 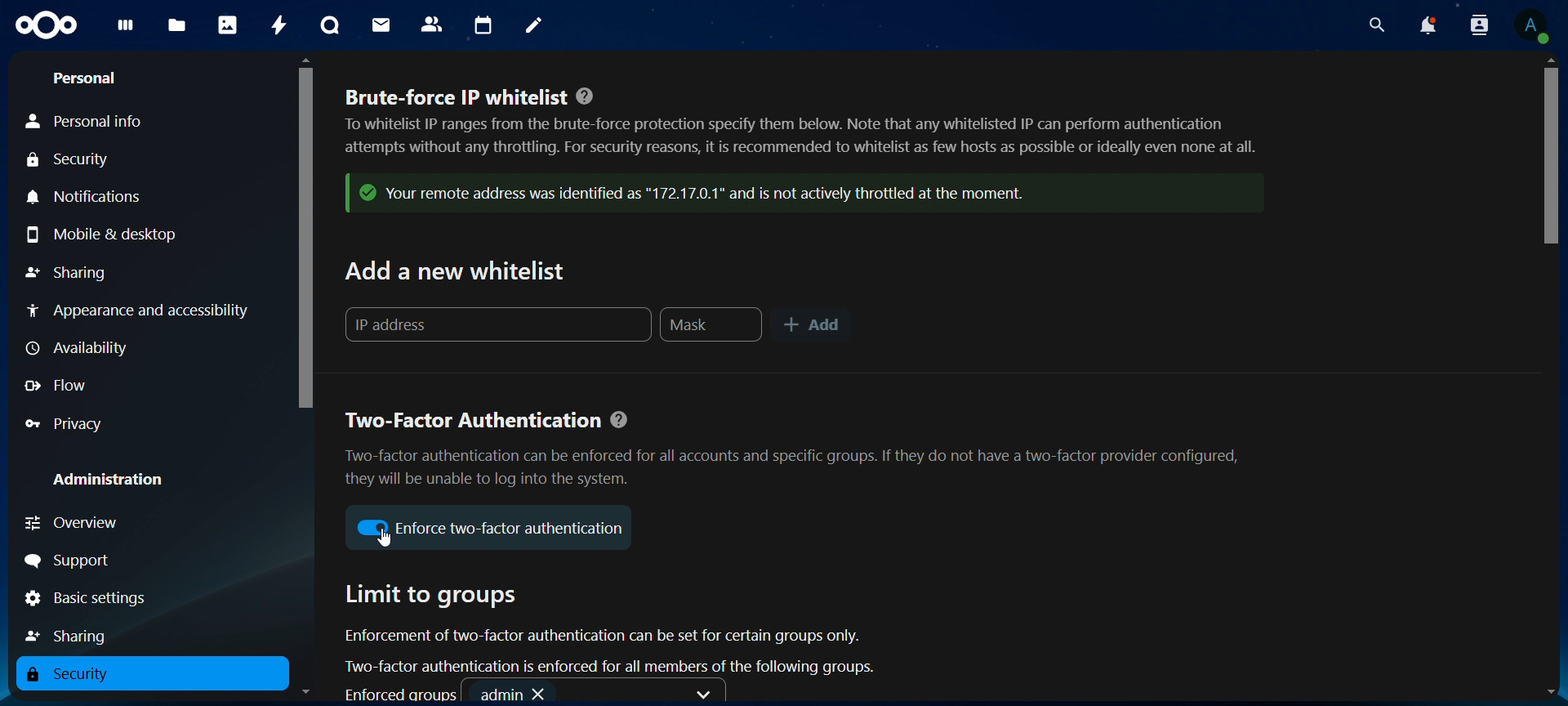 I want to click on personal, so click(x=89, y=78).